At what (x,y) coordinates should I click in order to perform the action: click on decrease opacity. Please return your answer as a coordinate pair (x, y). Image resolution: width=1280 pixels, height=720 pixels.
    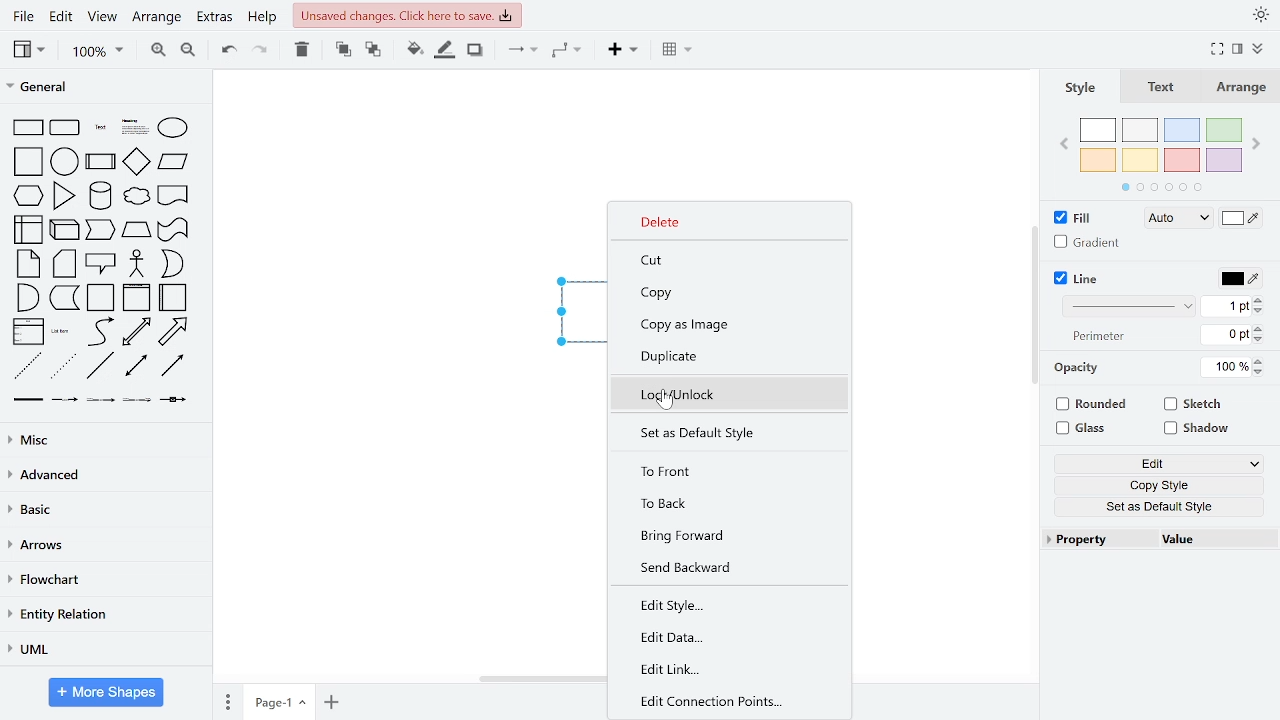
    Looking at the image, I should click on (1259, 372).